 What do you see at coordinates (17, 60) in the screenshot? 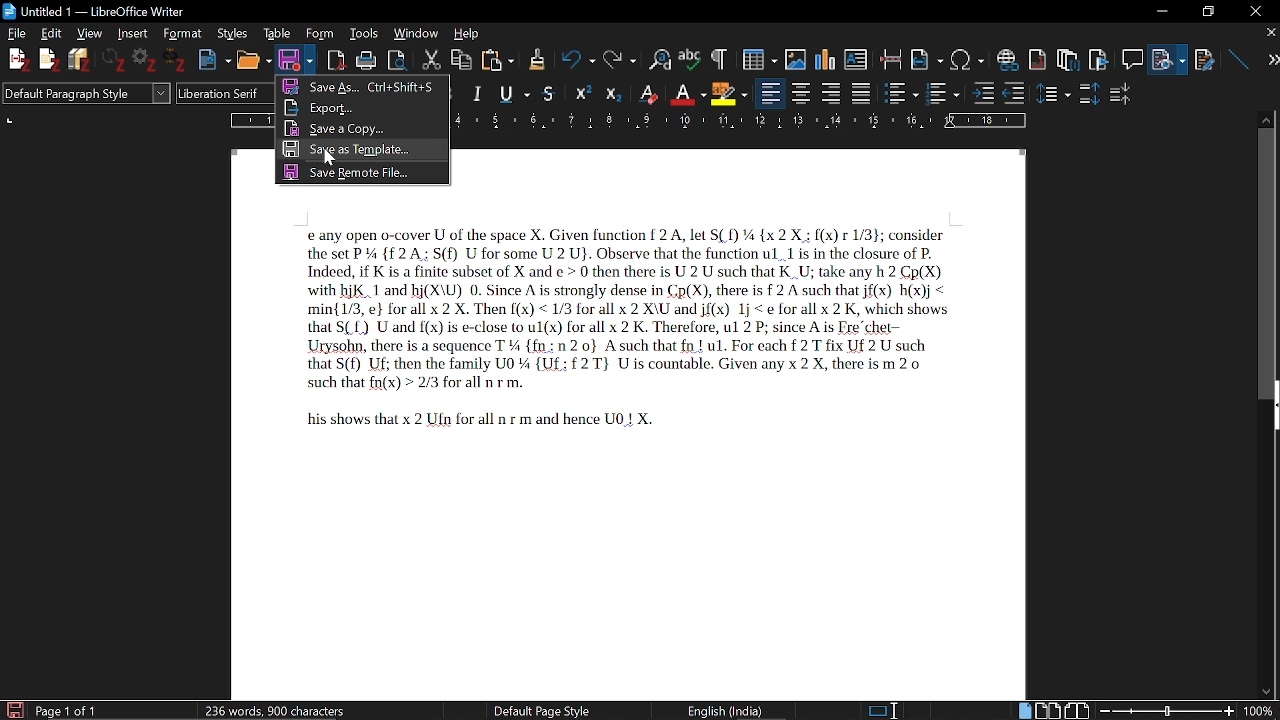
I see `New File` at bounding box center [17, 60].